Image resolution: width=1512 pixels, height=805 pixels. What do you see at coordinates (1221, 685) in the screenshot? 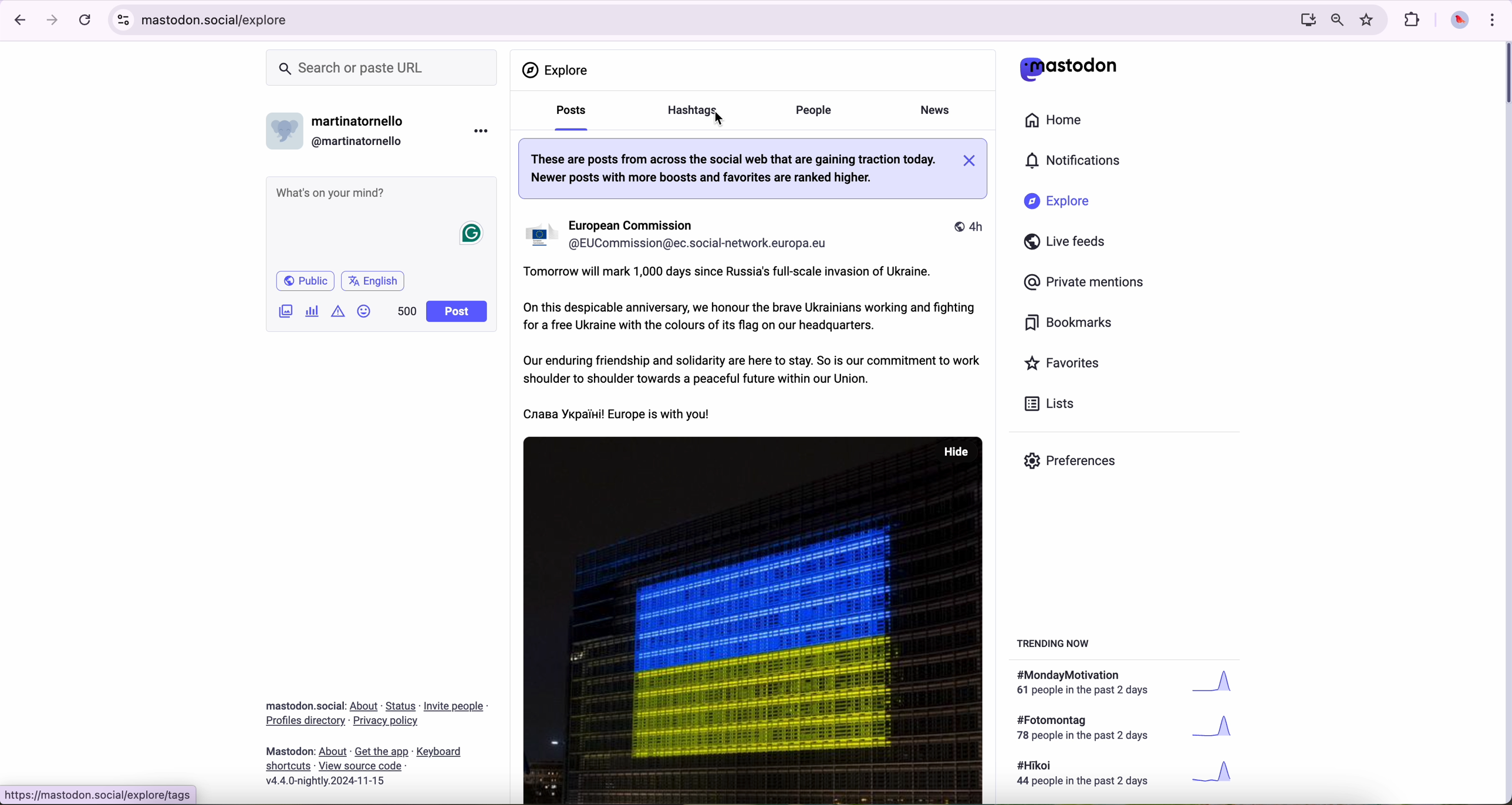
I see `graph` at bounding box center [1221, 685].